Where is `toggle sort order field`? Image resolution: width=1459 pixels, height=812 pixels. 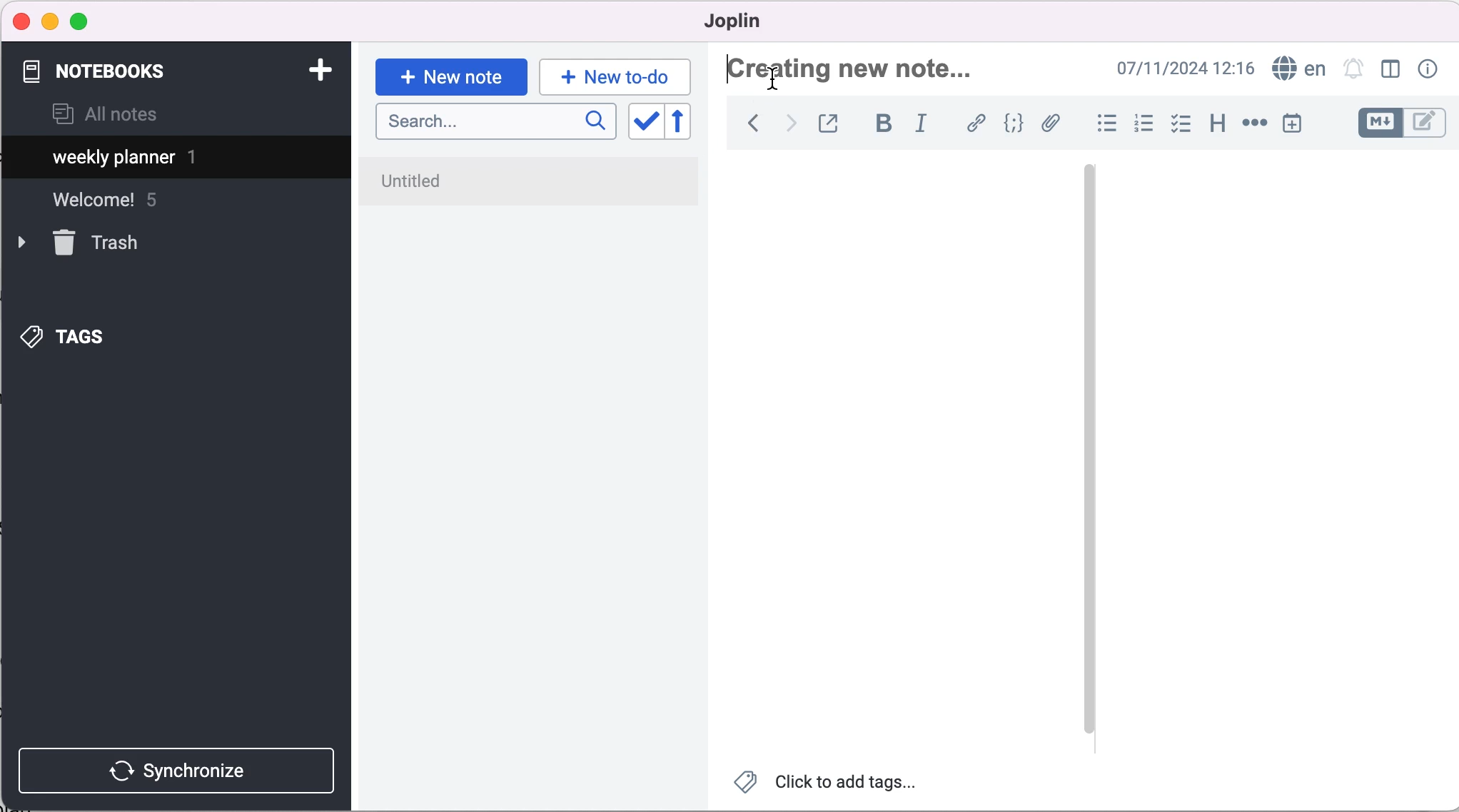
toggle sort order field is located at coordinates (644, 126).